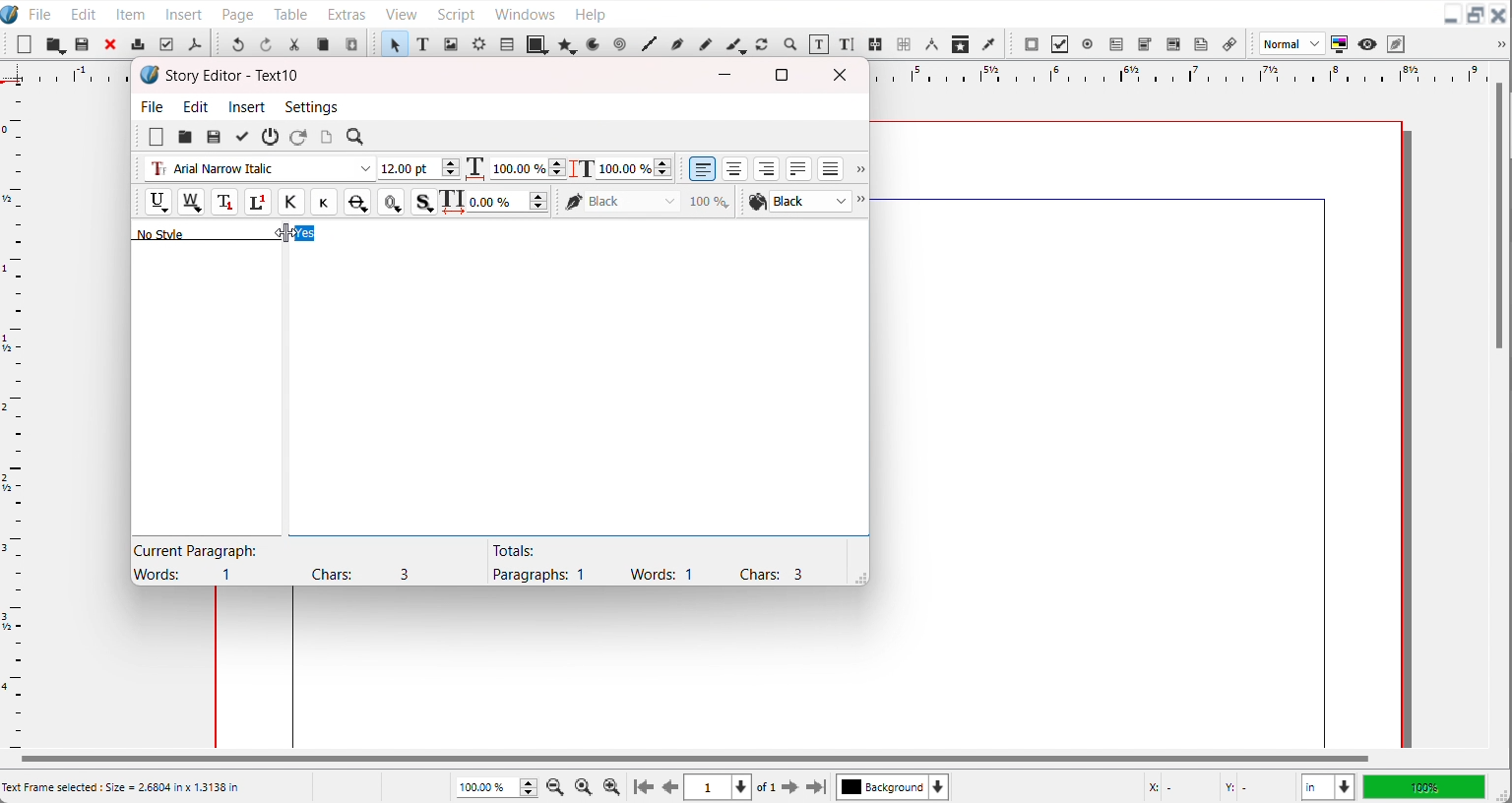  Describe the element at coordinates (1174, 44) in the screenshot. I see `PDF List box` at that location.